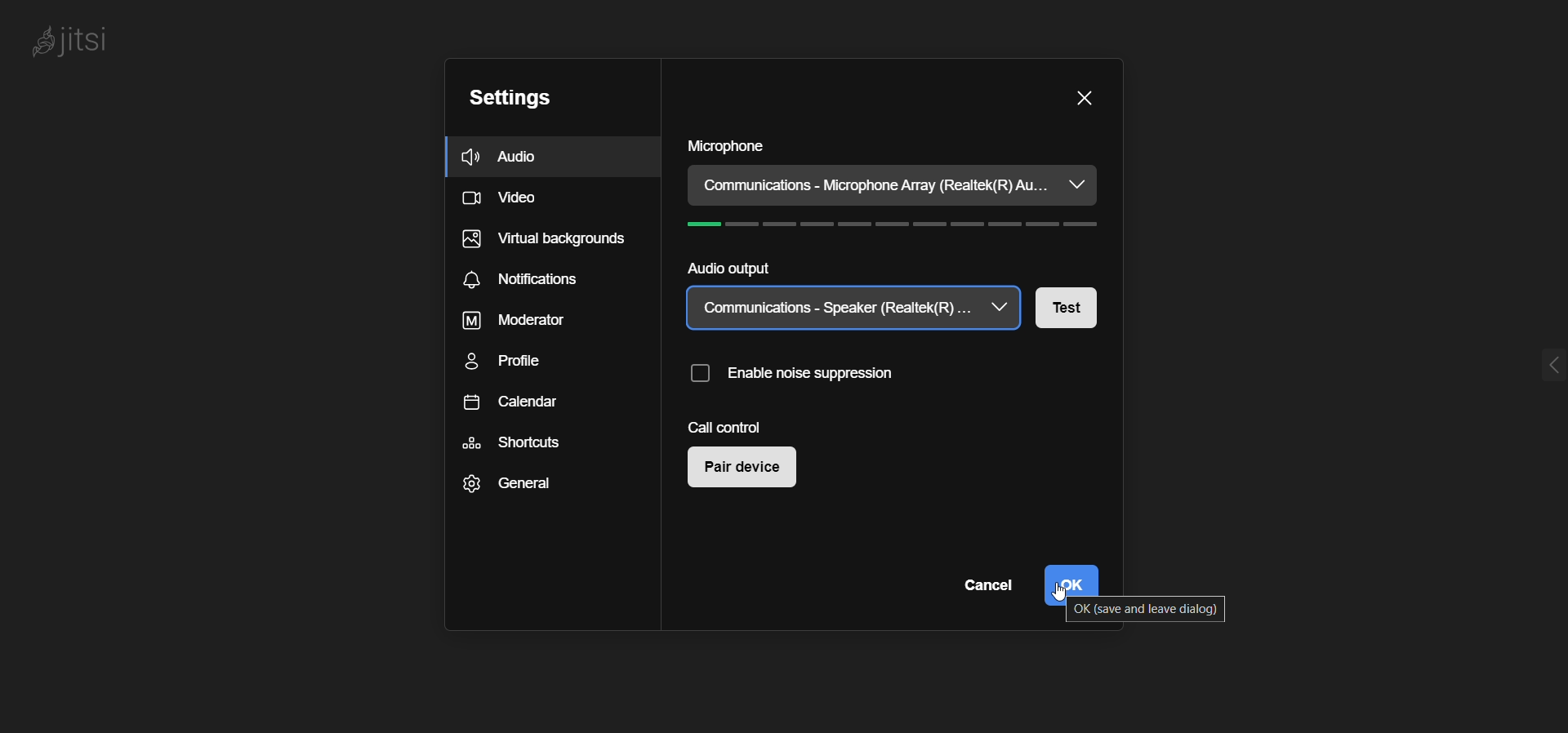 The width and height of the screenshot is (1568, 733). Describe the element at coordinates (1075, 576) in the screenshot. I see `ok` at that location.